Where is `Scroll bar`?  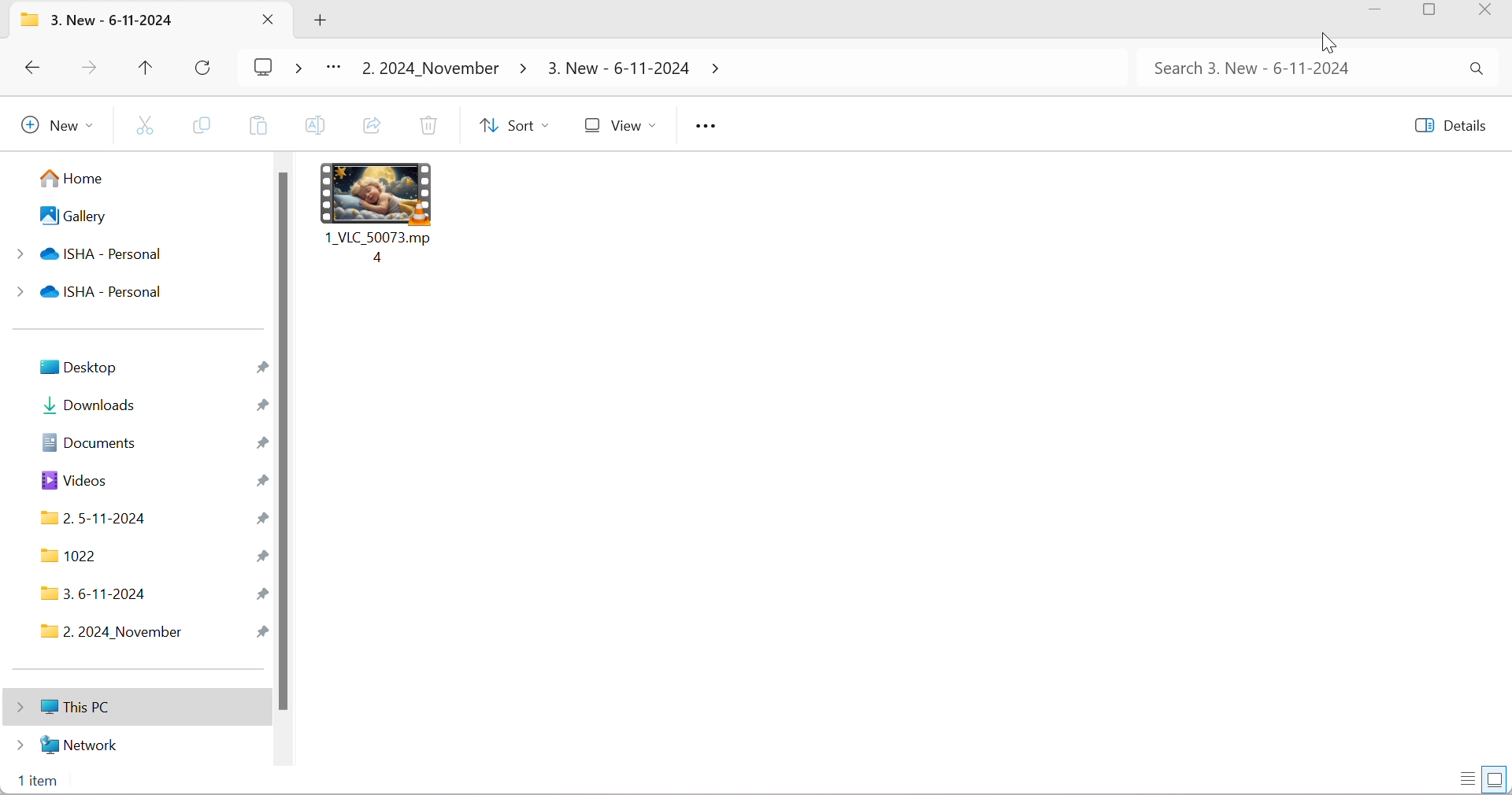 Scroll bar is located at coordinates (287, 442).